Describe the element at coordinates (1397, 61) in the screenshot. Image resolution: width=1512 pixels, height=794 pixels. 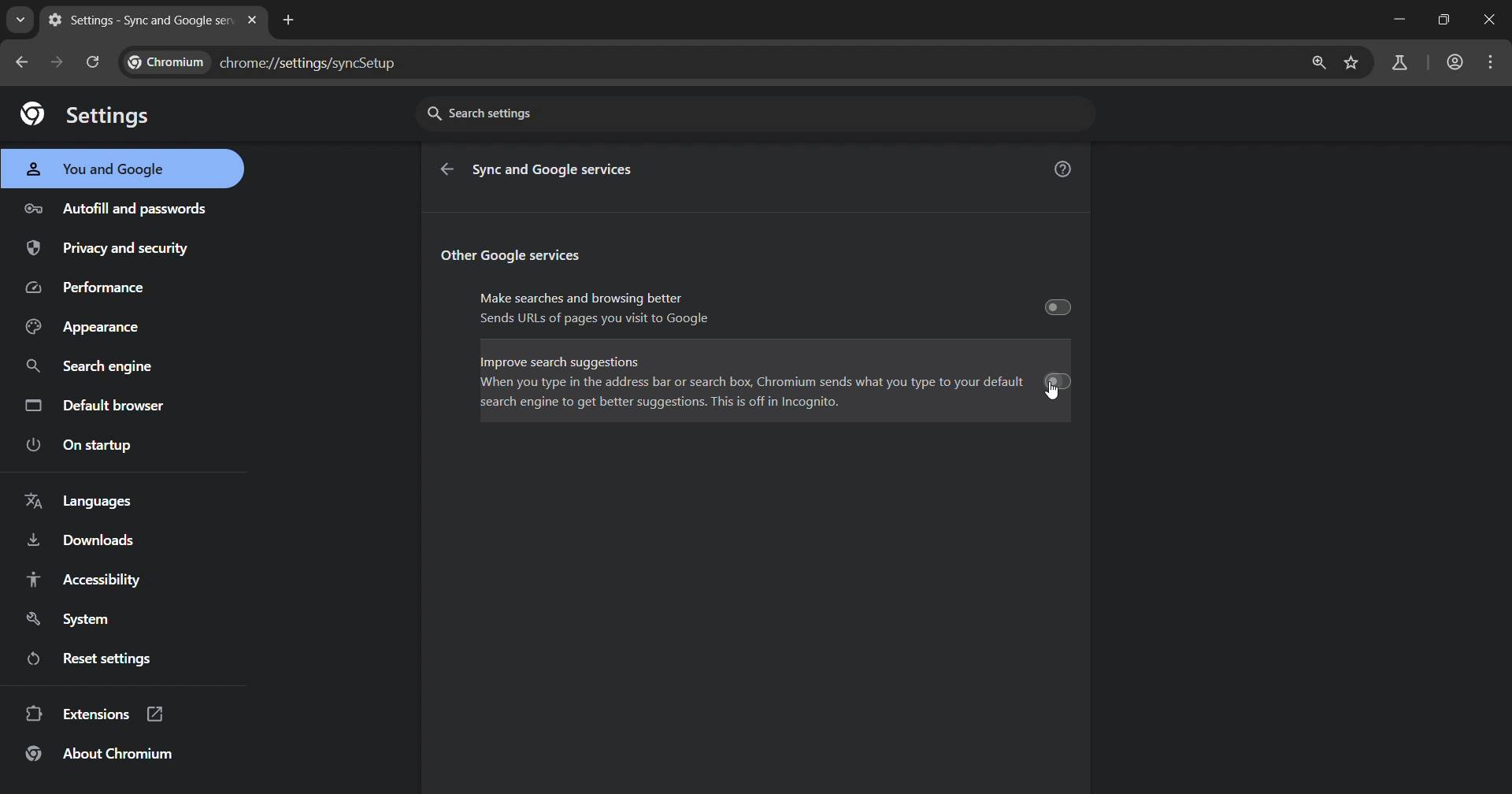
I see `search labs` at that location.